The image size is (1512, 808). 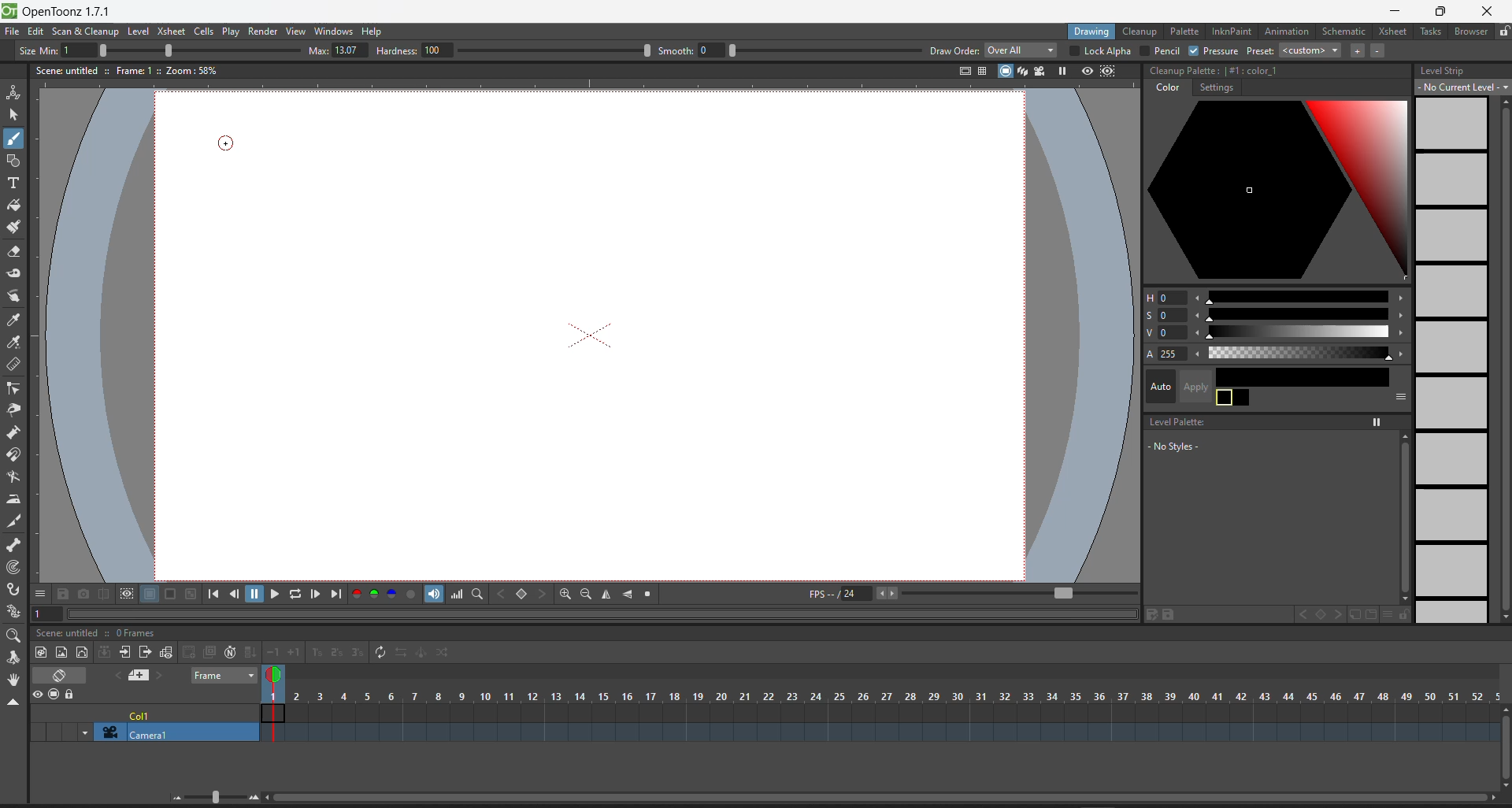 What do you see at coordinates (12, 31) in the screenshot?
I see `file` at bounding box center [12, 31].